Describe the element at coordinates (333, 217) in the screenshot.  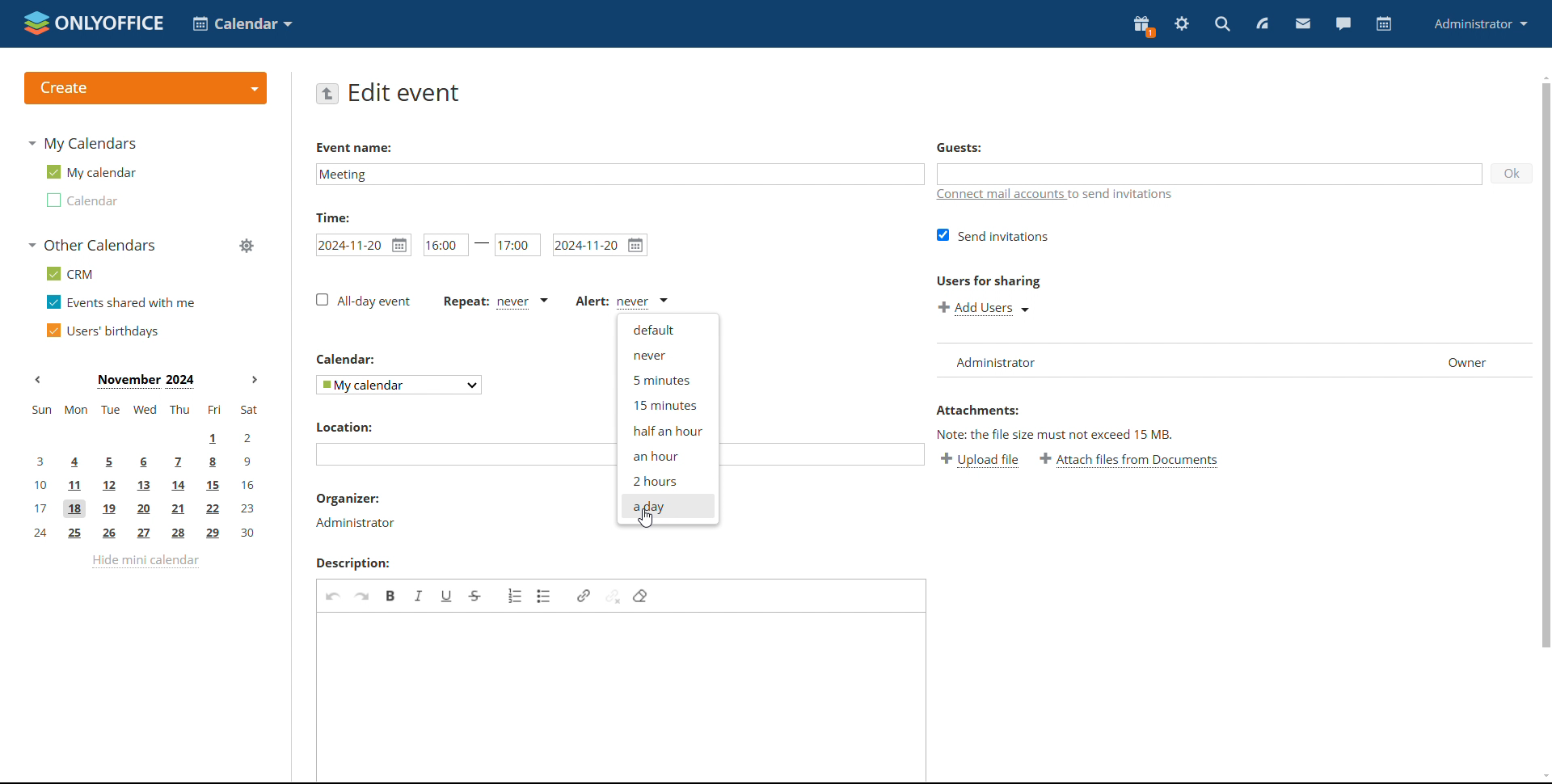
I see `Time` at that location.